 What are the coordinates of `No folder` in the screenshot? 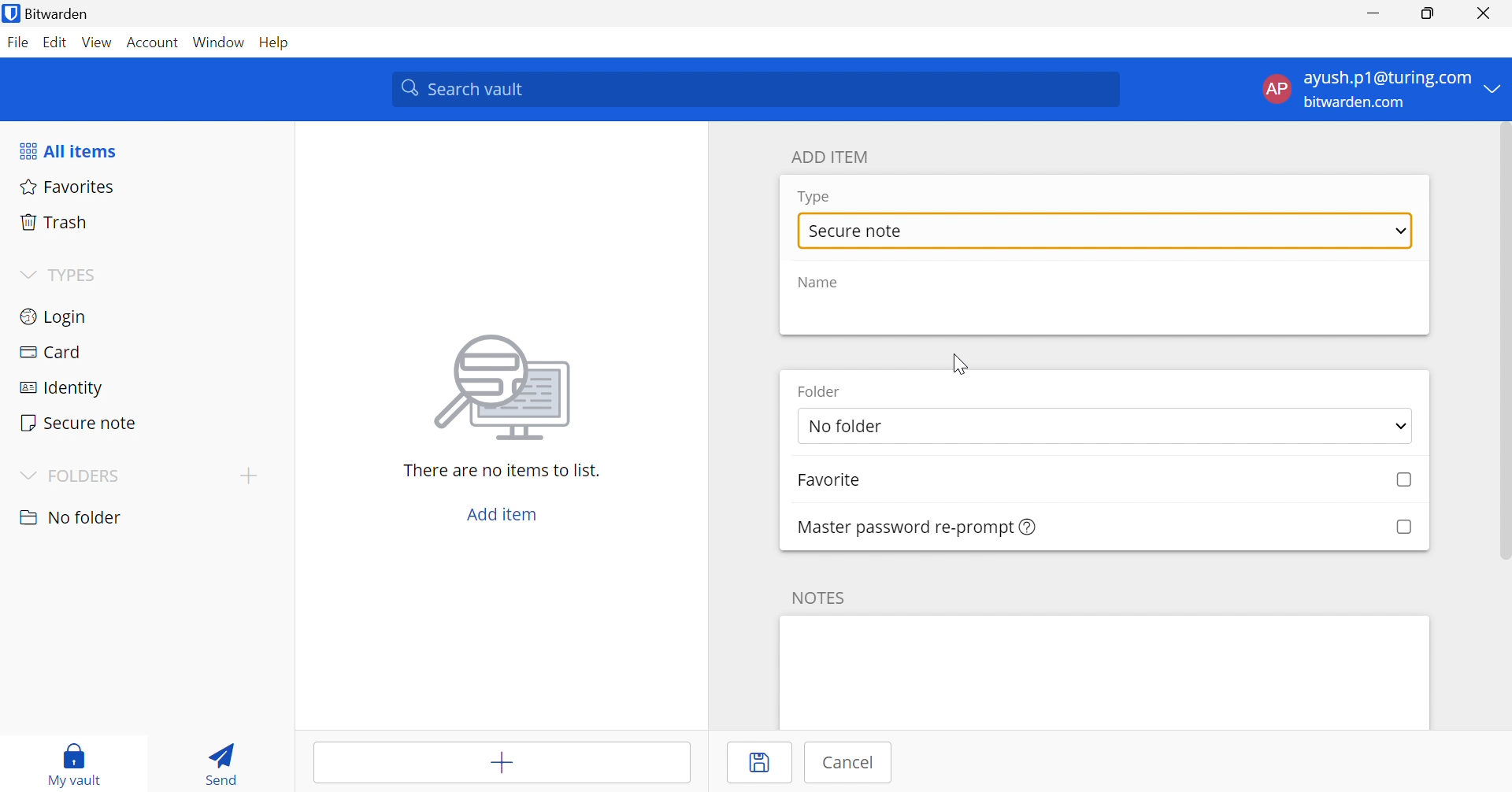 It's located at (1105, 426).